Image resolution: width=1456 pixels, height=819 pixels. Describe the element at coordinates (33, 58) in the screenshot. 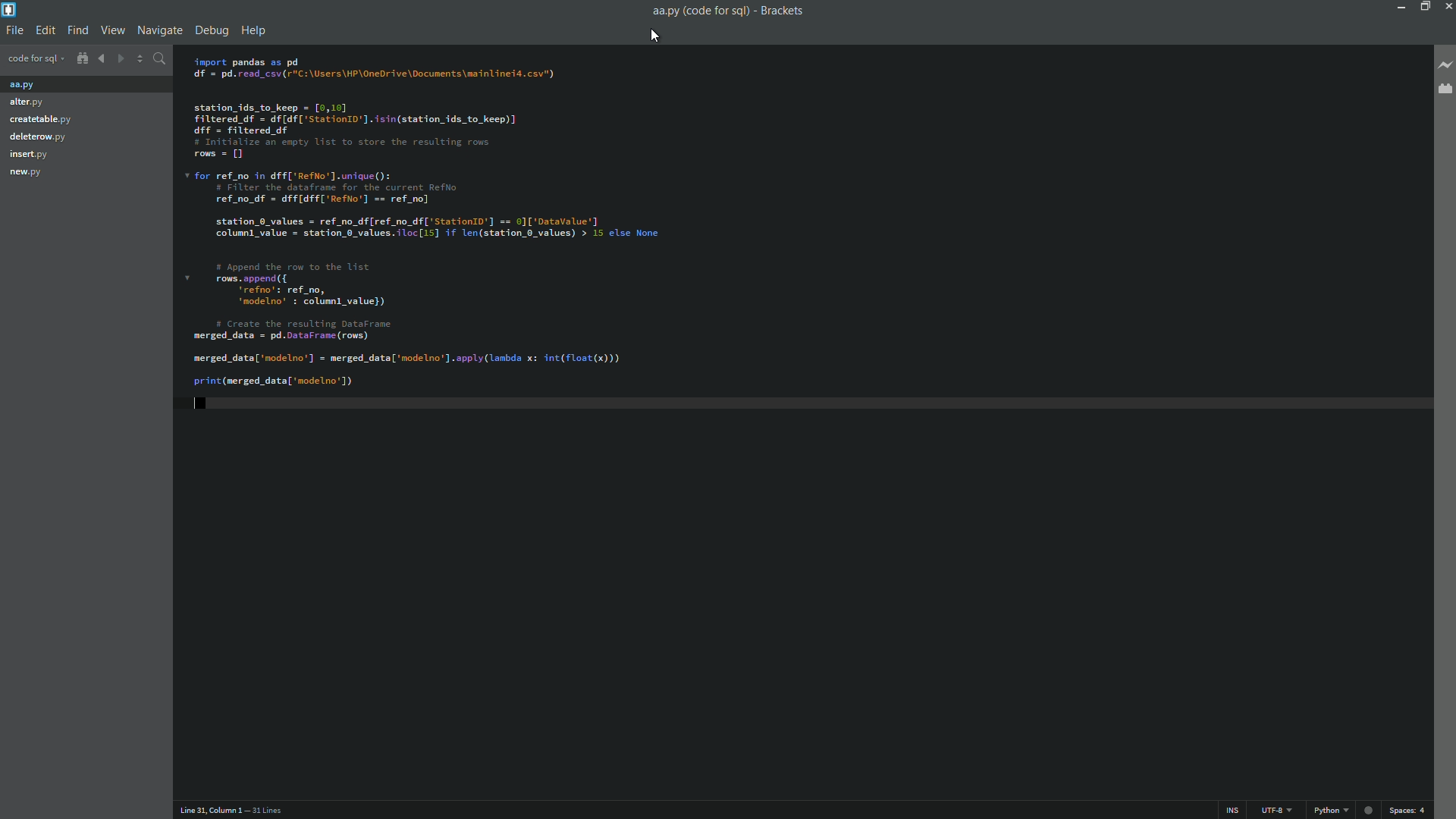

I see `project name` at that location.